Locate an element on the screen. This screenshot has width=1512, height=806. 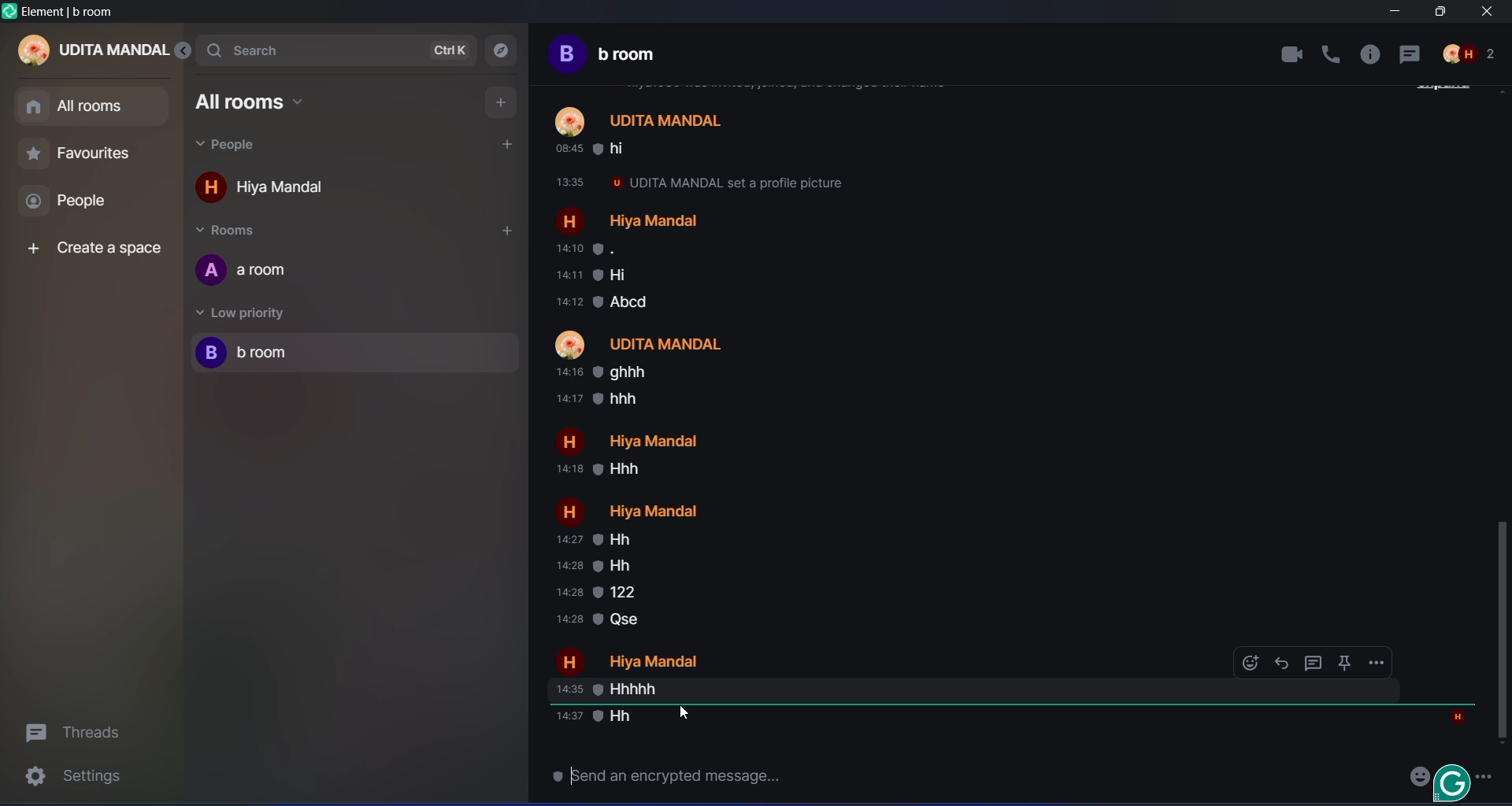
people is located at coordinates (81, 205).